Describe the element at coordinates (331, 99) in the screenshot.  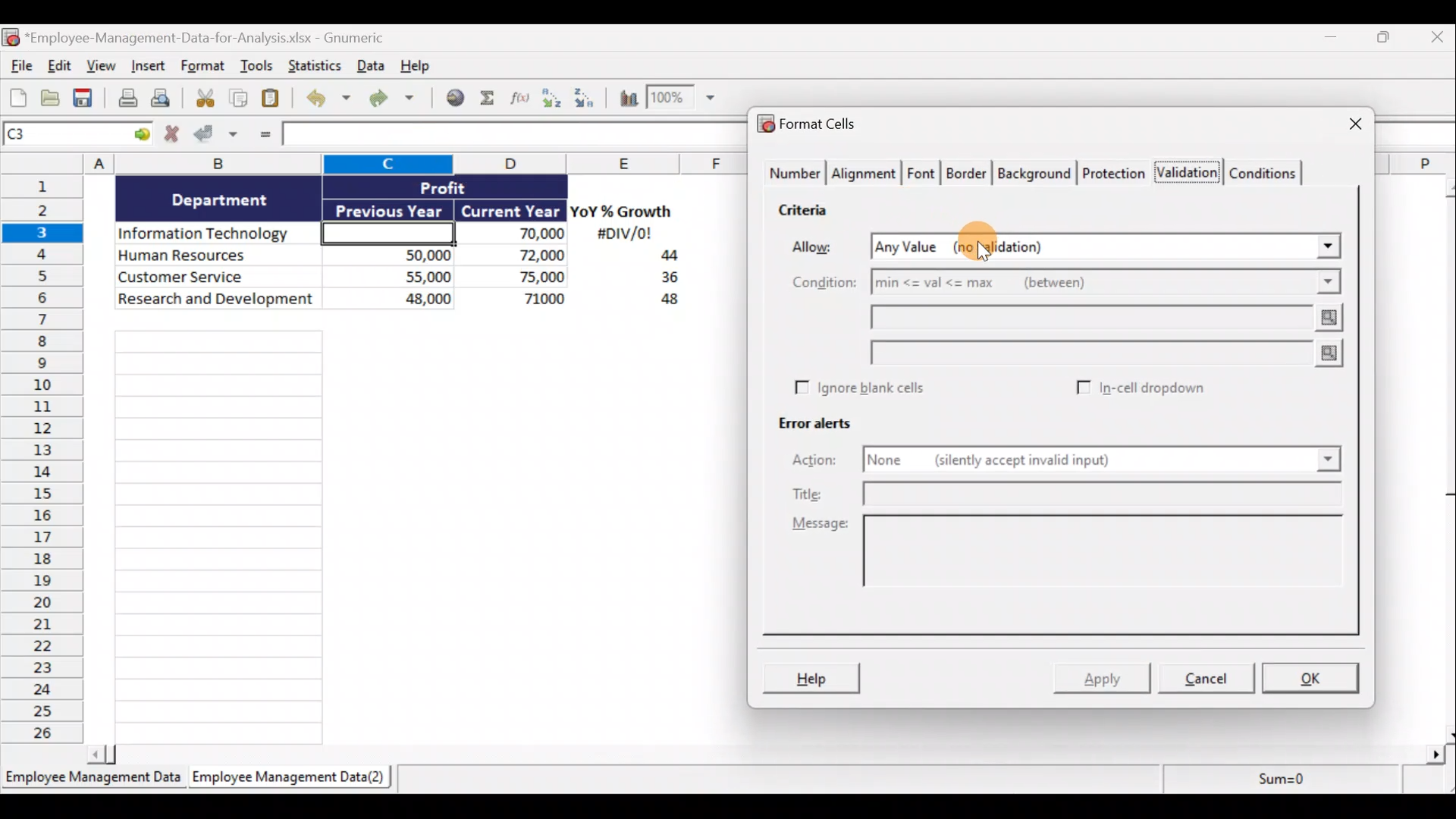
I see `Undo last action` at that location.